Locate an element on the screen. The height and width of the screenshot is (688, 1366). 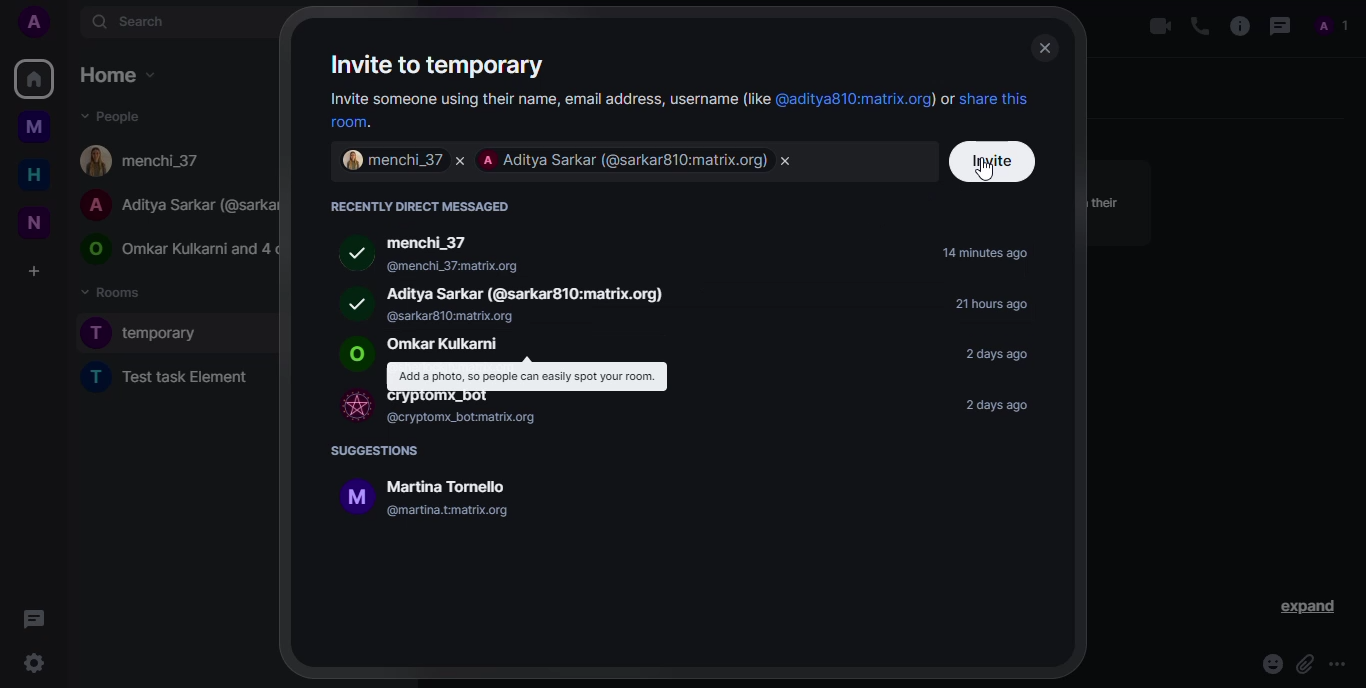
attach is located at coordinates (1301, 664).